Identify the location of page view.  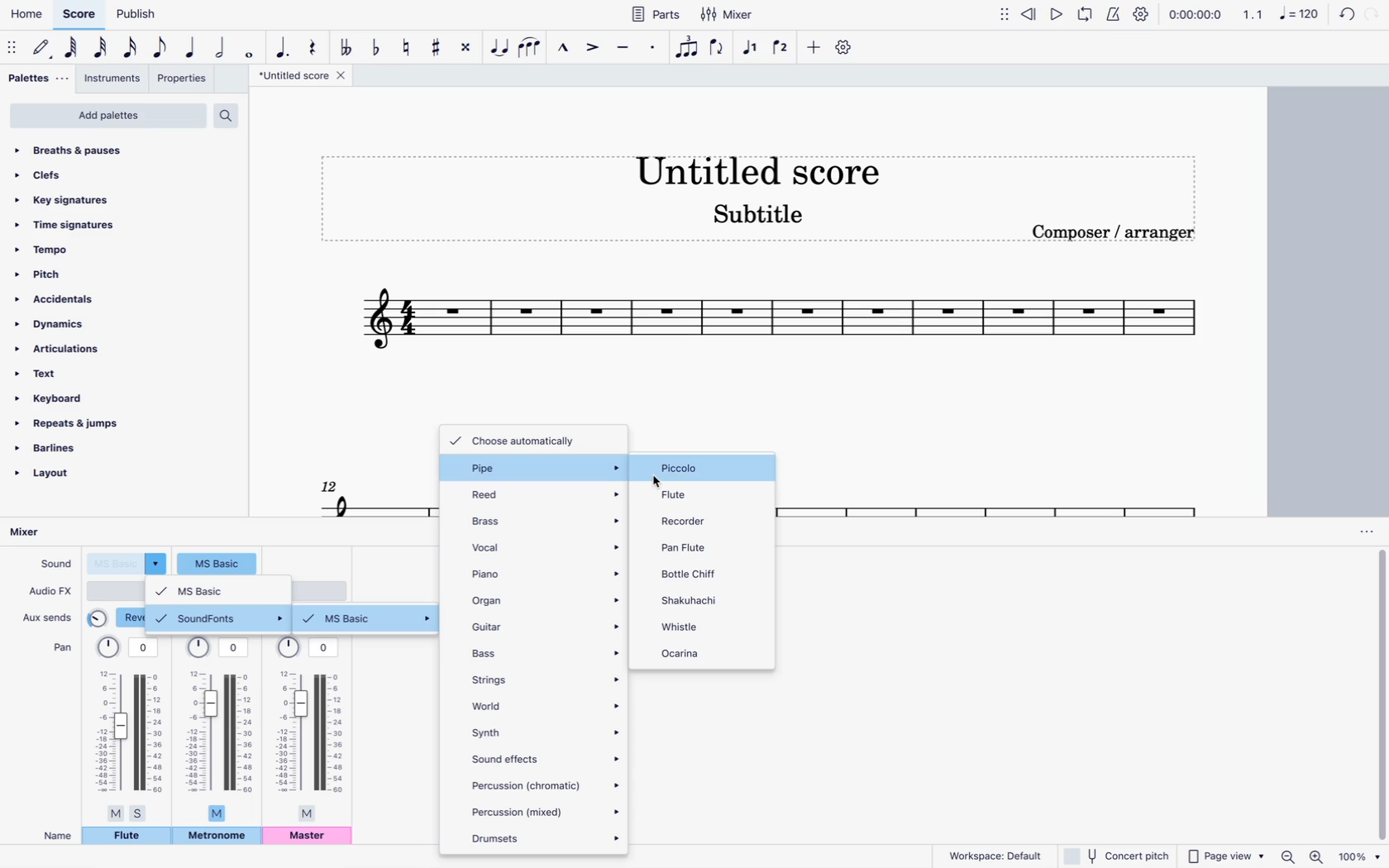
(1225, 853).